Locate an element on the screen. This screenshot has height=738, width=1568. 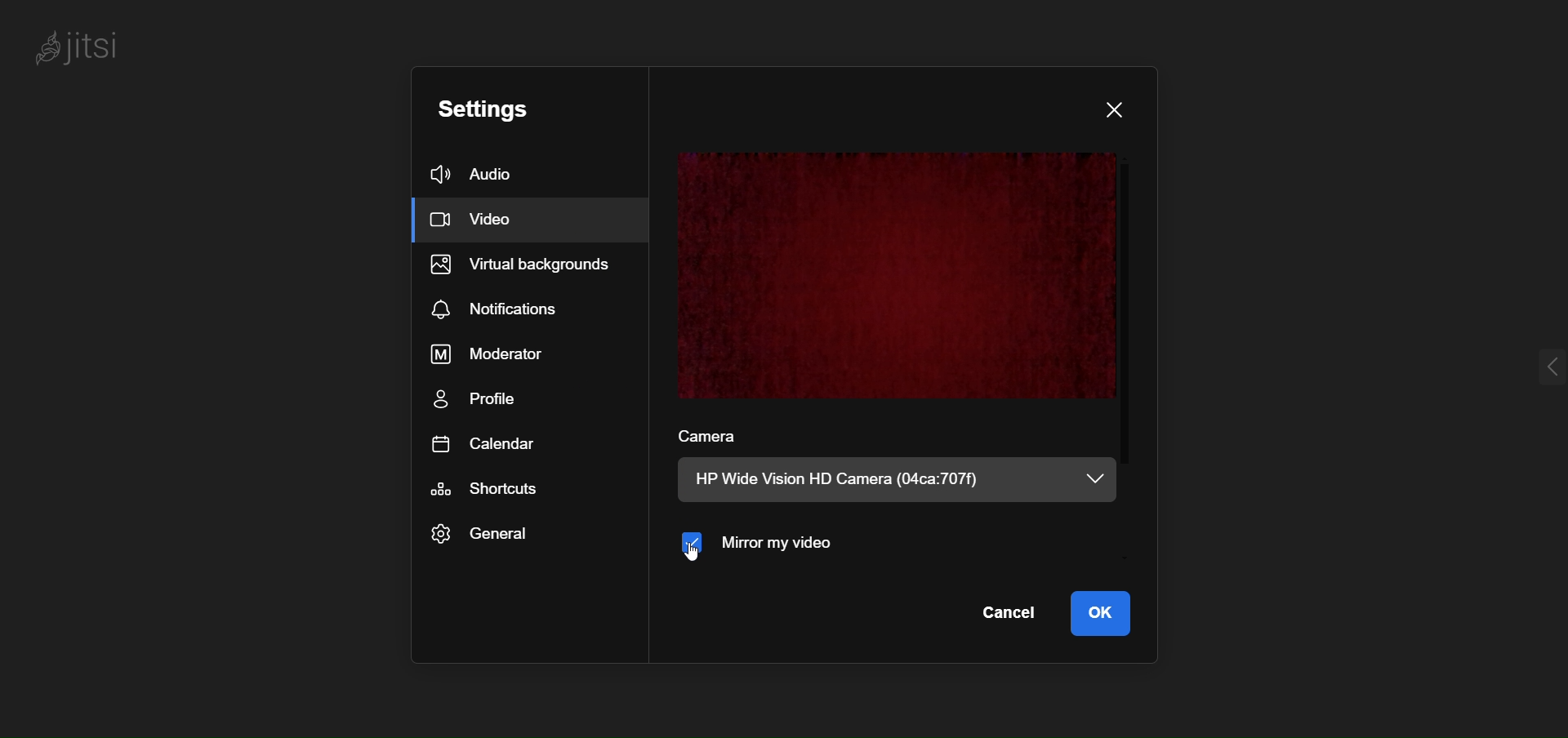
setting is located at coordinates (492, 107).